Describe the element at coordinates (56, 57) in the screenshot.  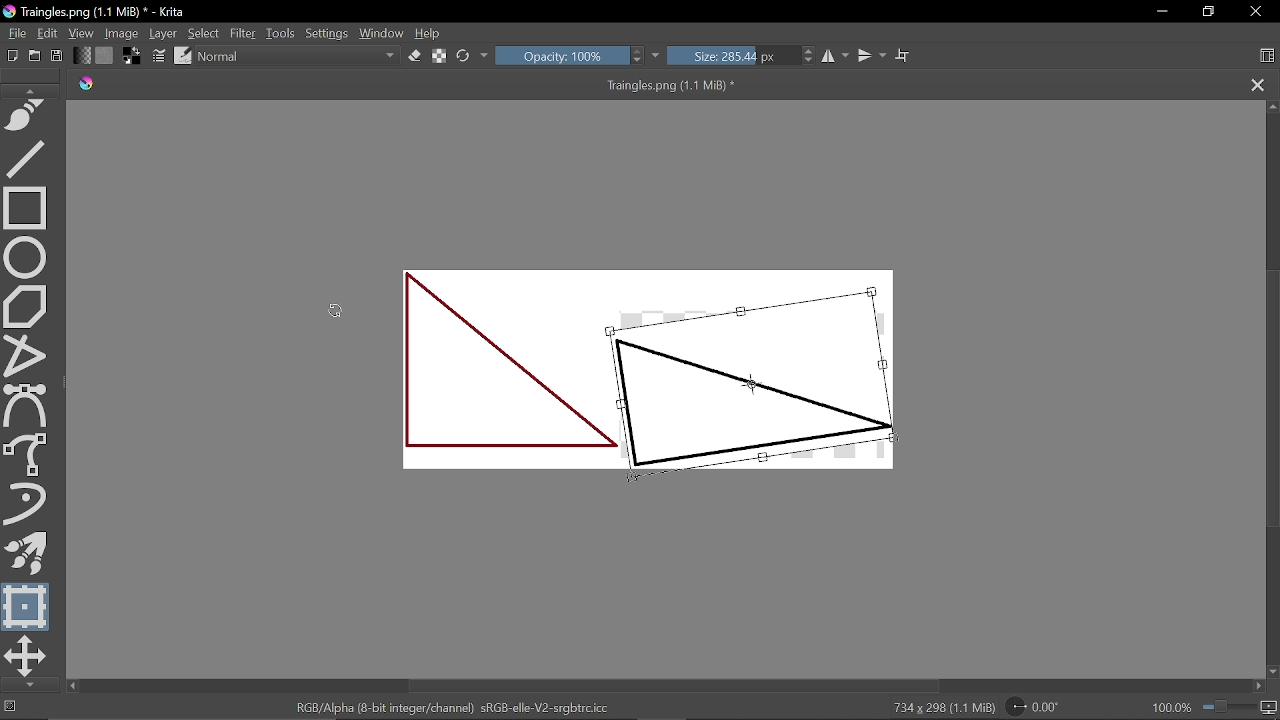
I see `Save` at that location.